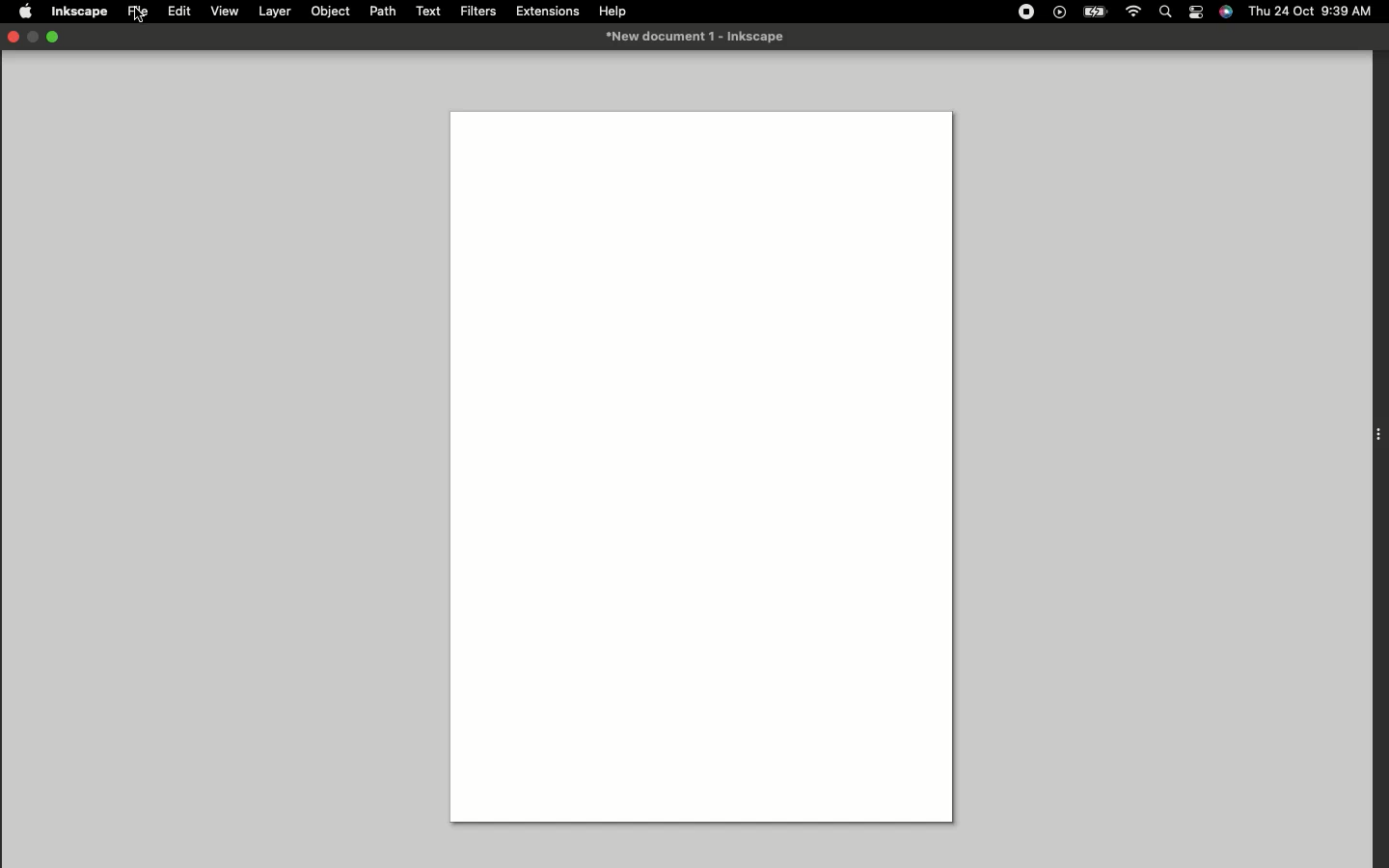 This screenshot has height=868, width=1389. Describe the element at coordinates (702, 467) in the screenshot. I see `Canvas` at that location.